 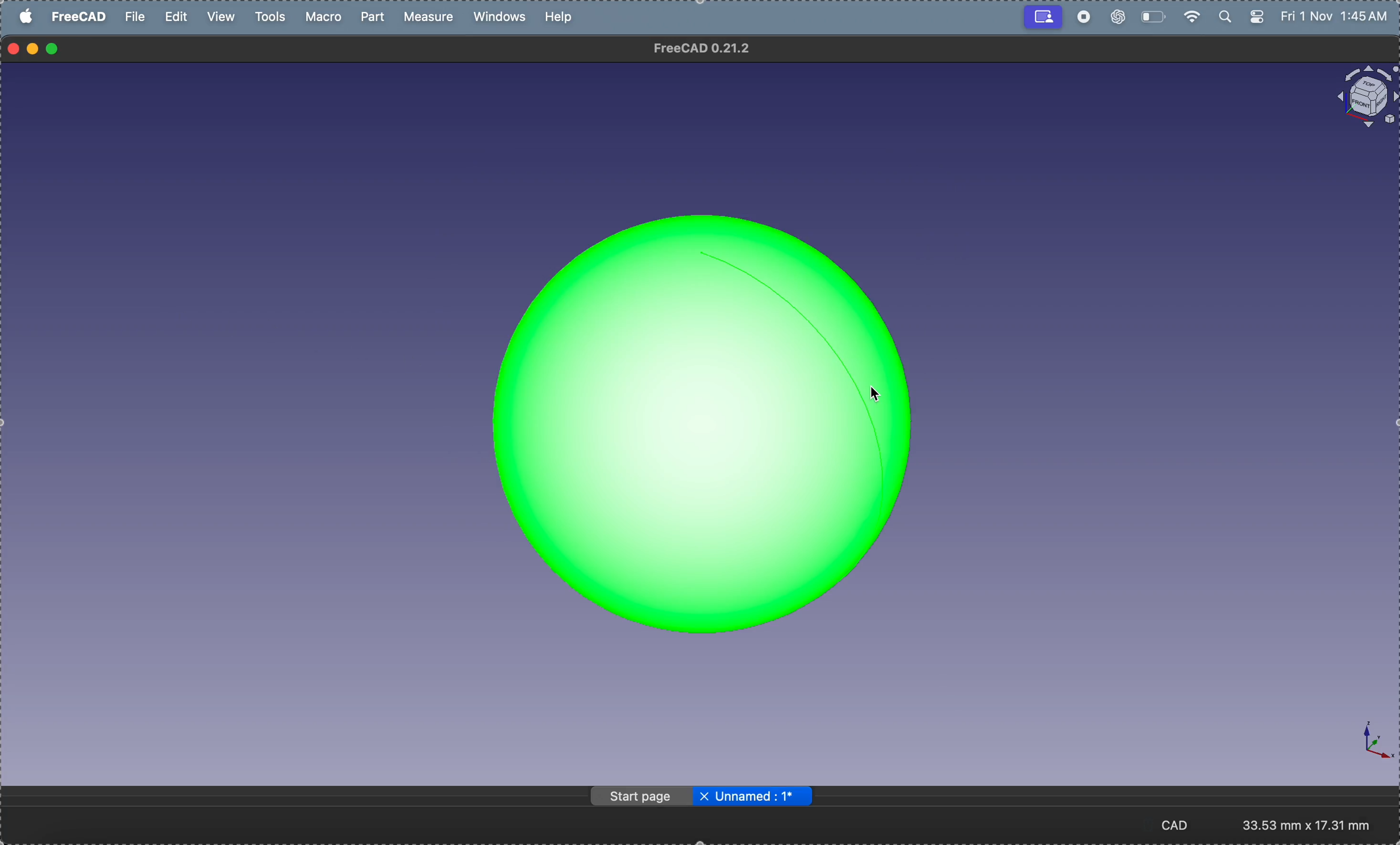 I want to click on time and date, so click(x=1338, y=16).